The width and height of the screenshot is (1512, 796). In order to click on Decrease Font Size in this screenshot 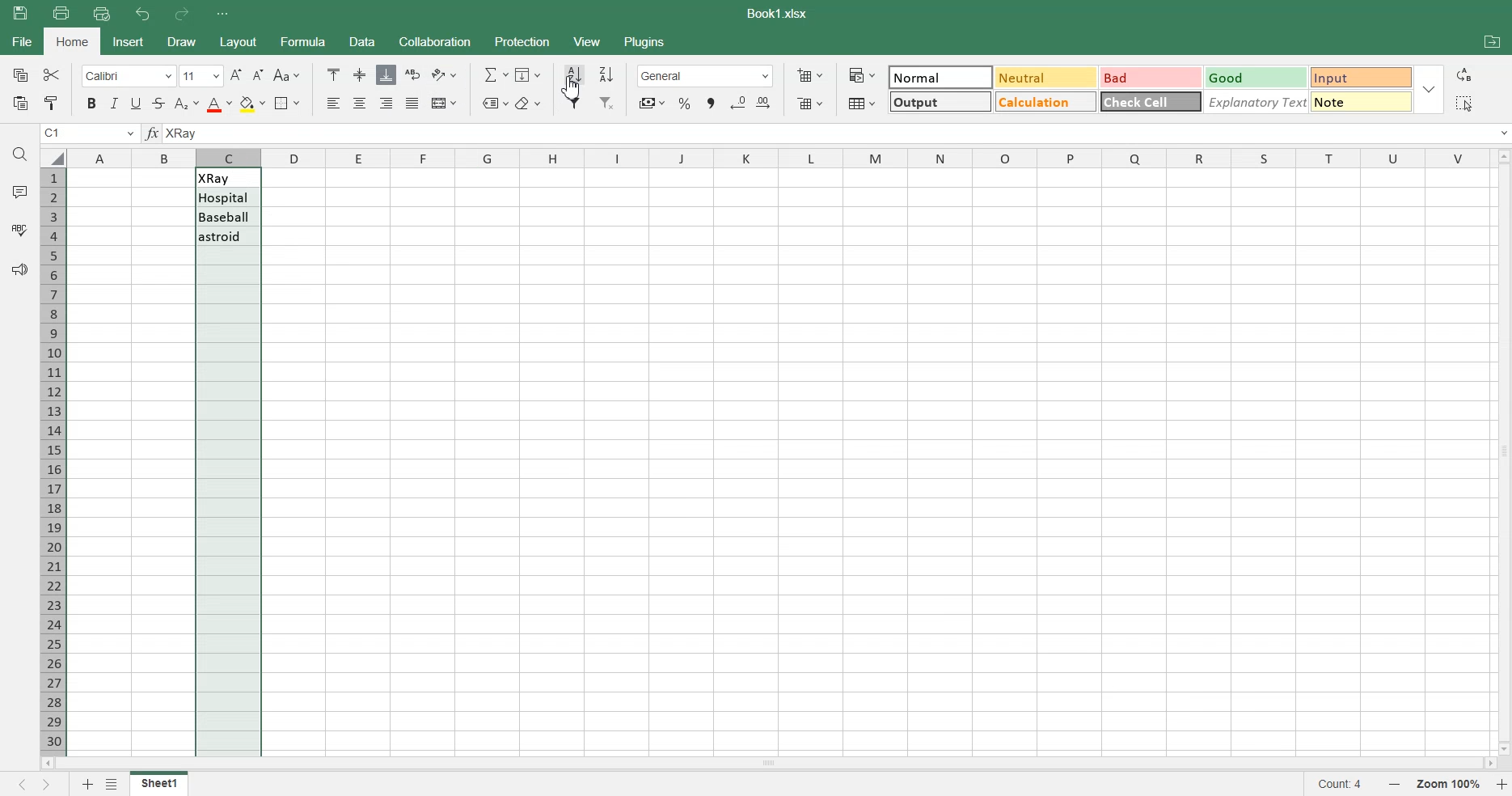, I will do `click(258, 75)`.